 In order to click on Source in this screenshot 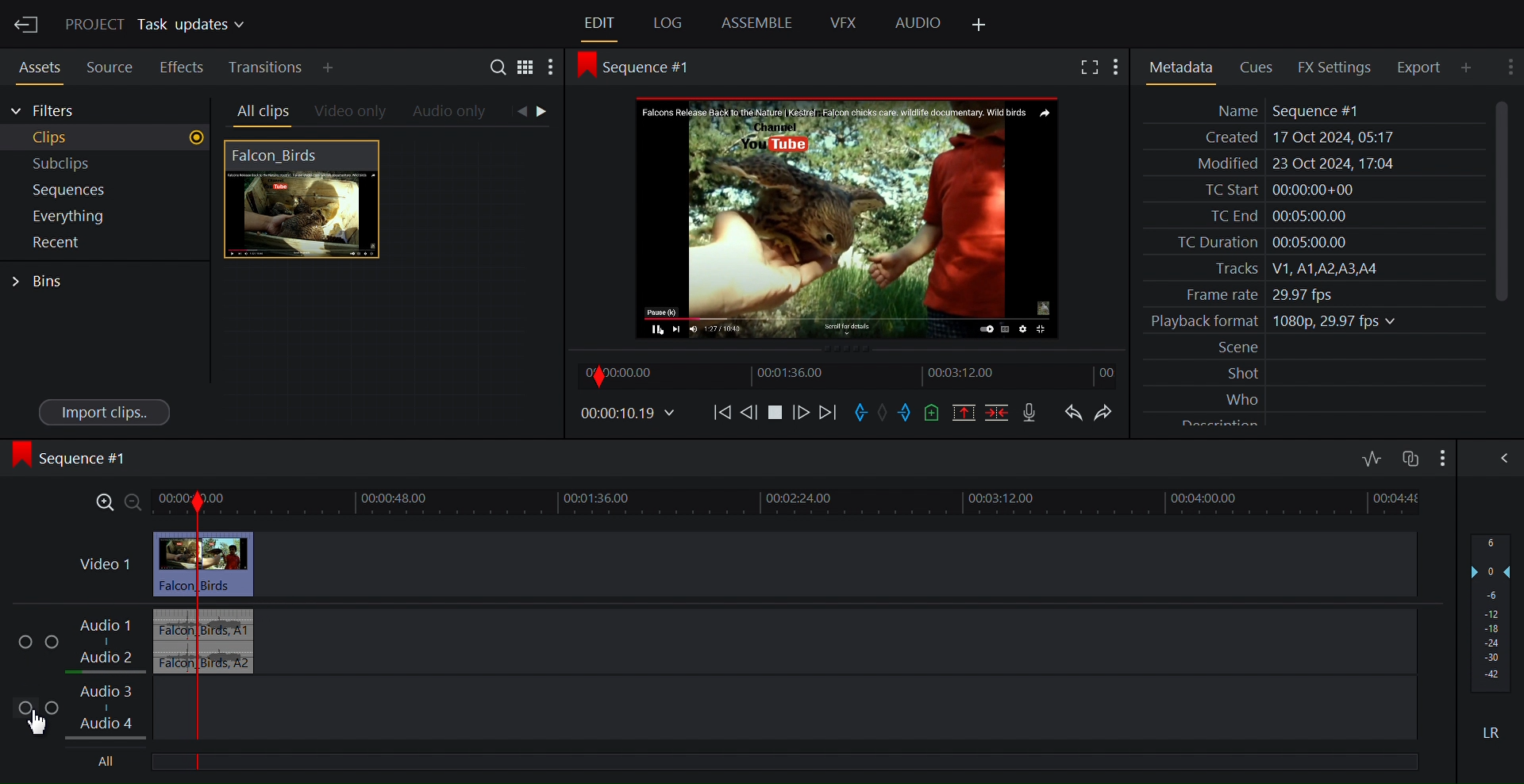, I will do `click(110, 65)`.